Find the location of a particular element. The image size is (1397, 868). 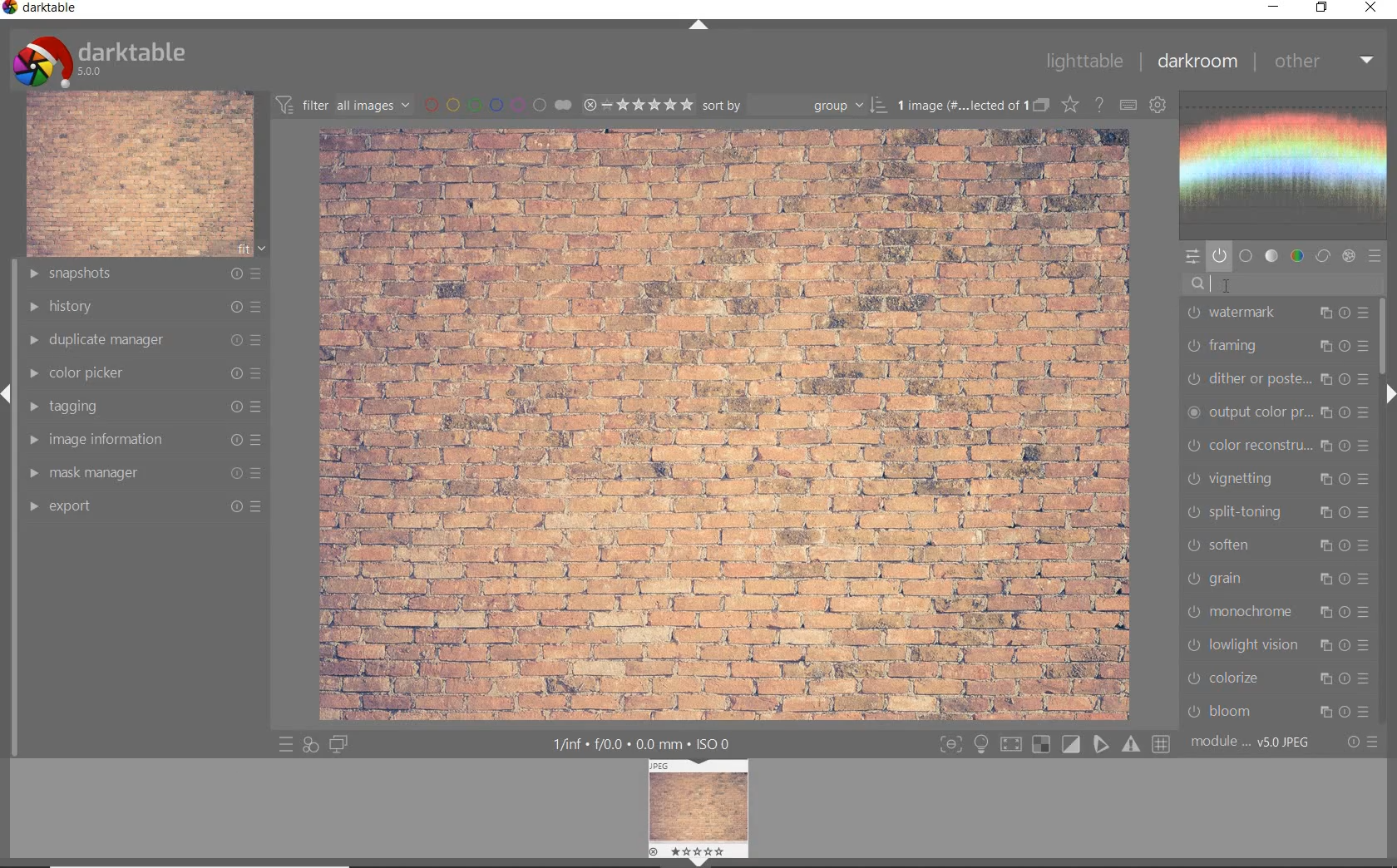

minimize is located at coordinates (1271, 6).